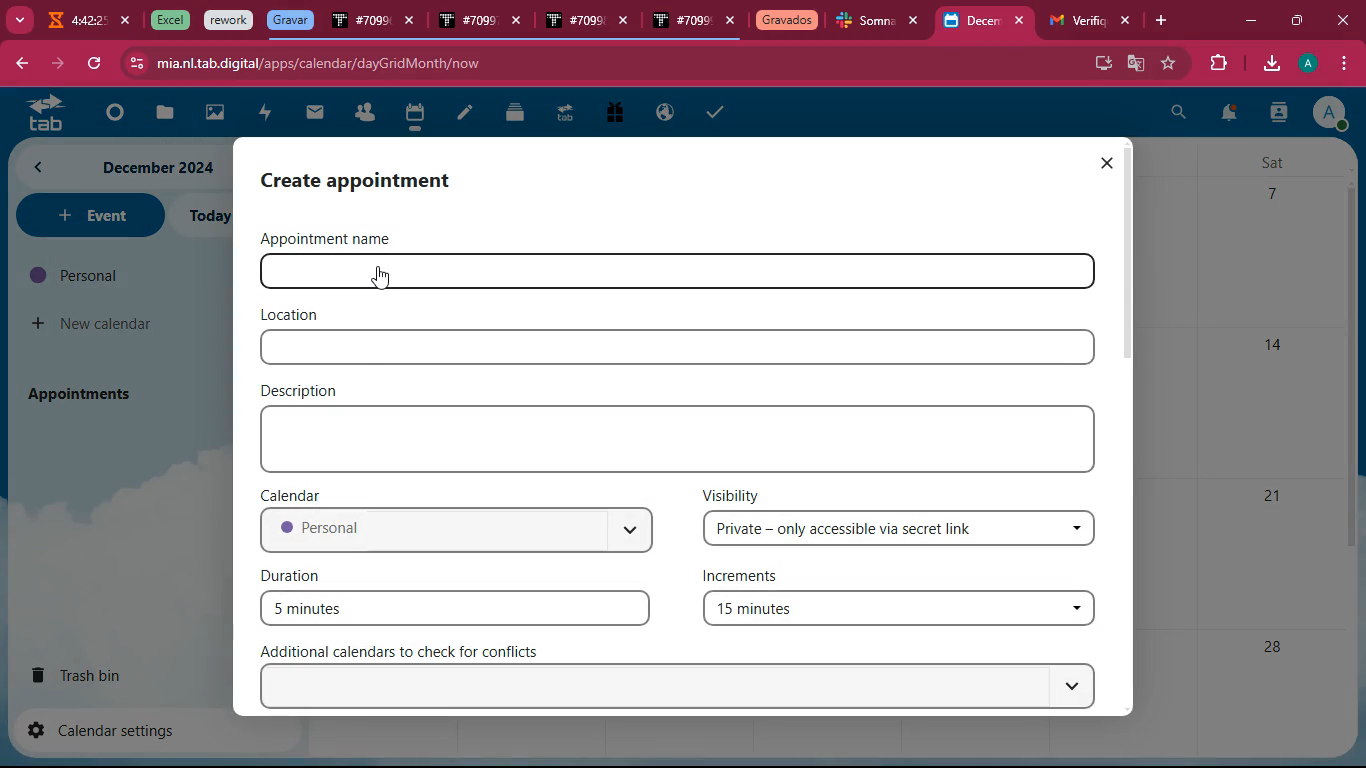 The width and height of the screenshot is (1366, 768). Describe the element at coordinates (1347, 20) in the screenshot. I see `close` at that location.